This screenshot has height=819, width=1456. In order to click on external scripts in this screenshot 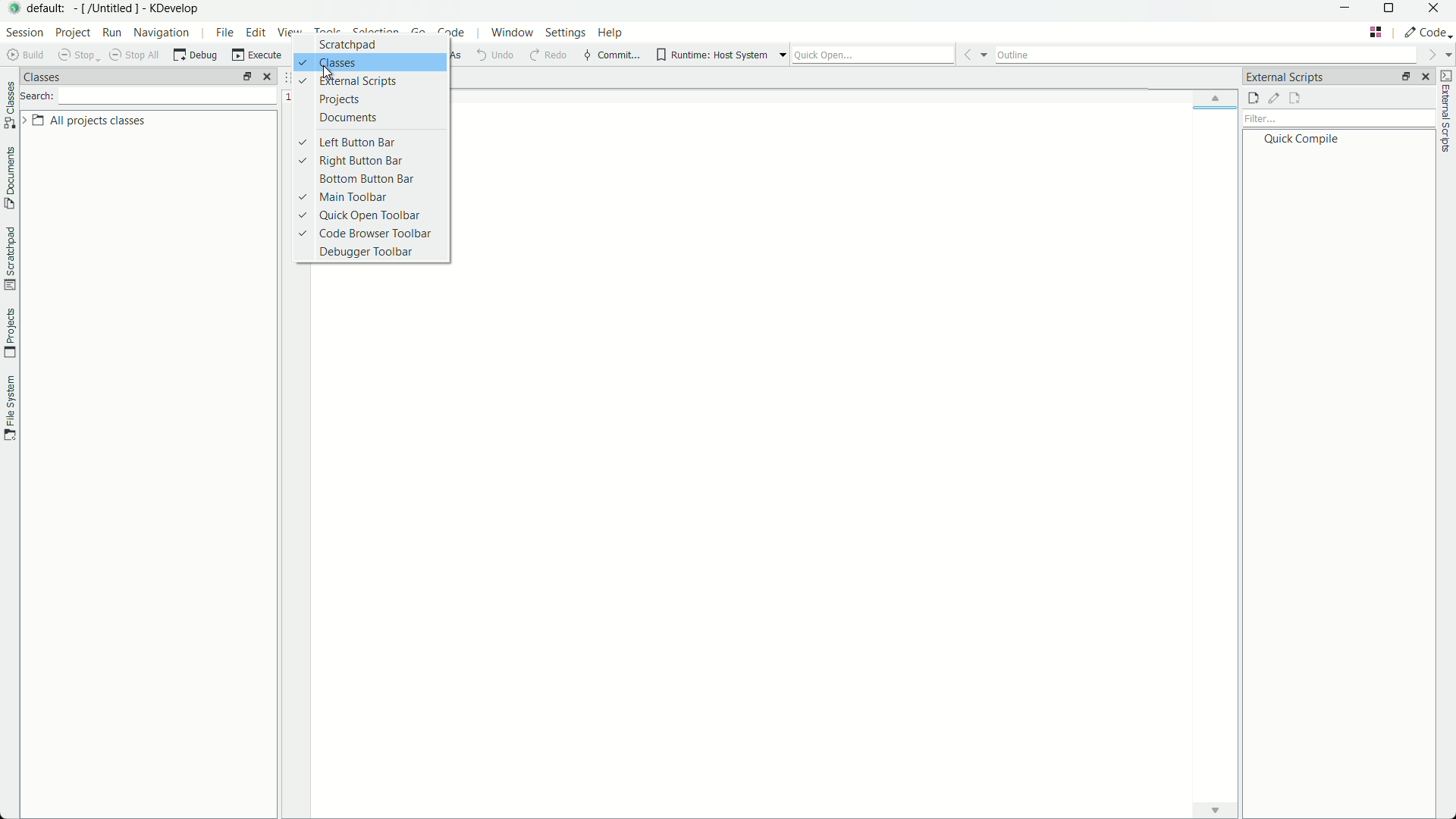, I will do `click(369, 83)`.